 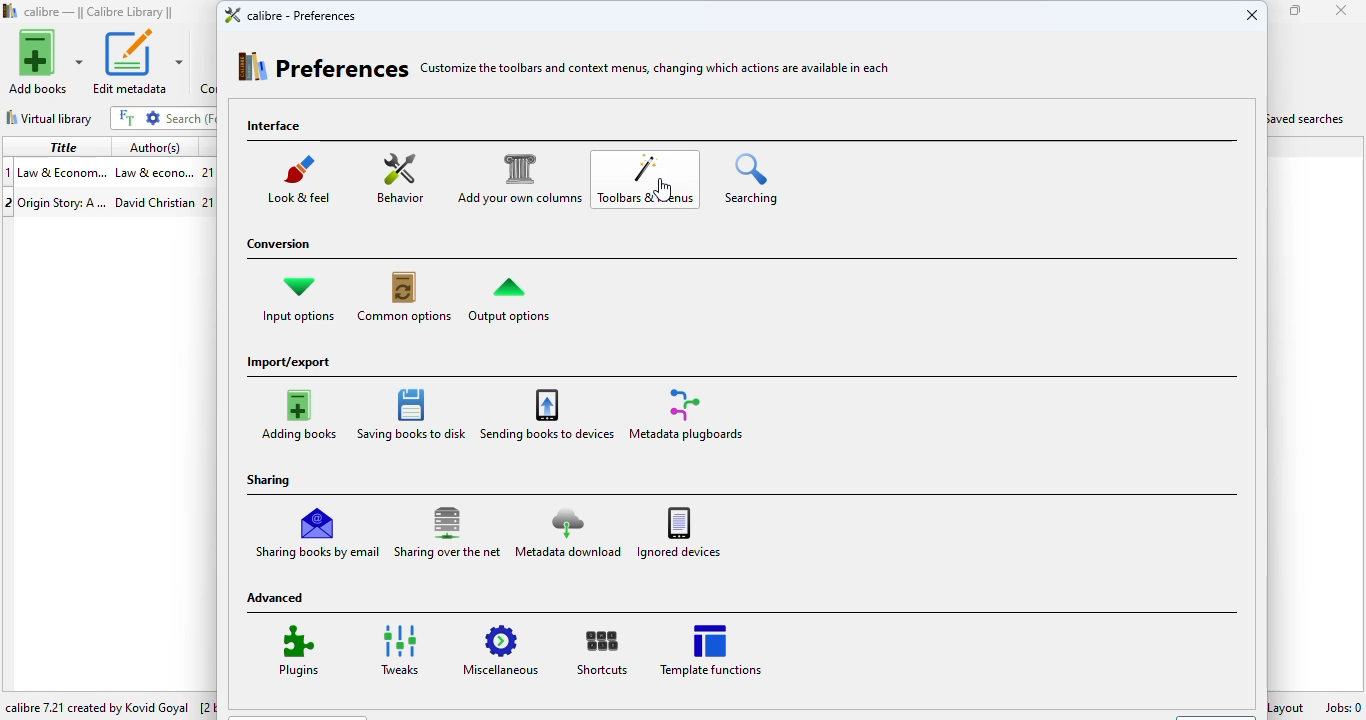 What do you see at coordinates (11, 10) in the screenshot?
I see `logo` at bounding box center [11, 10].